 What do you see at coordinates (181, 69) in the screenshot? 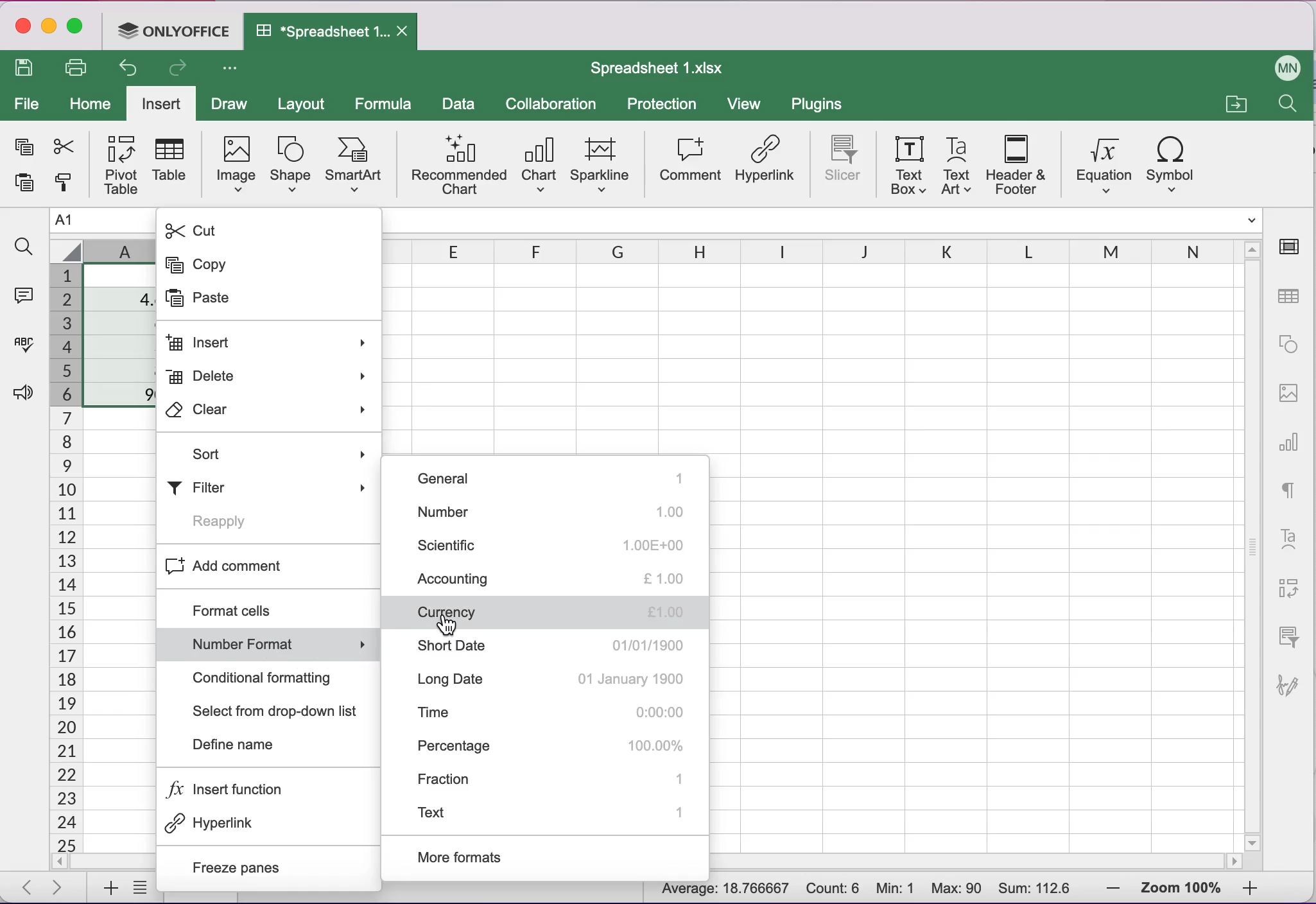
I see `redo` at bounding box center [181, 69].